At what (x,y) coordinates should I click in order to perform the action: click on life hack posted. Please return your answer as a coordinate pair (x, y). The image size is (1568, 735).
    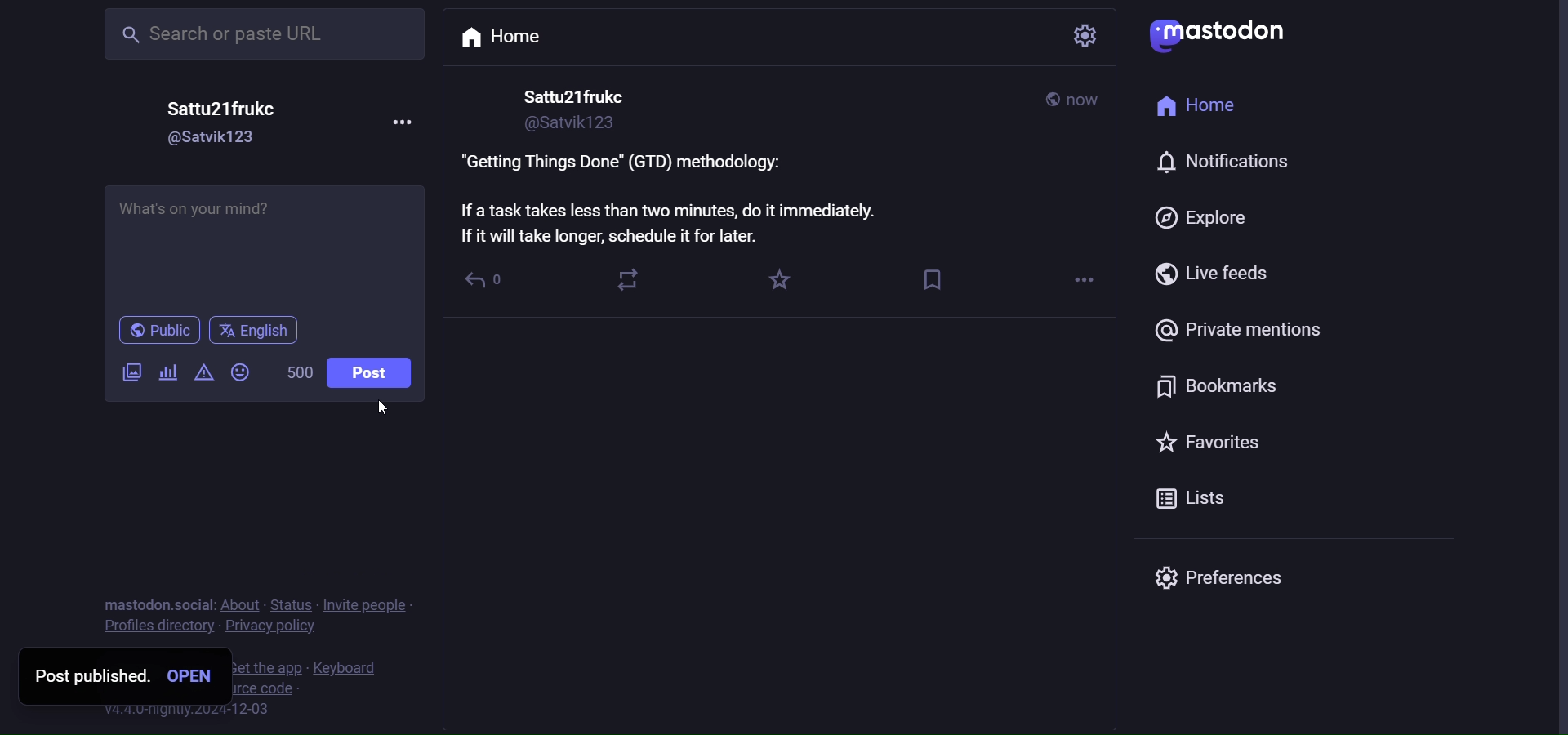
    Looking at the image, I should click on (694, 200).